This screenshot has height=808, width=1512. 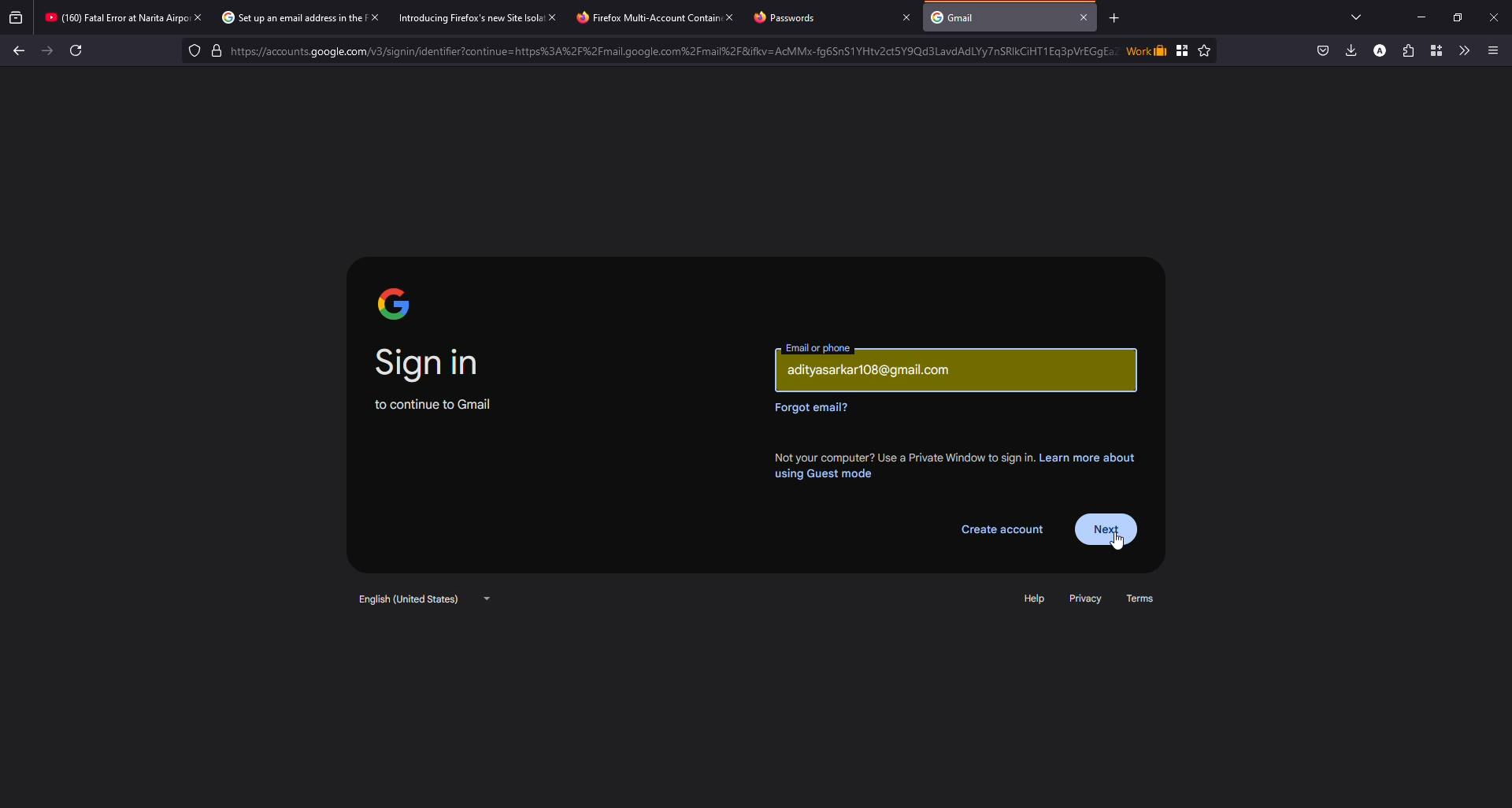 What do you see at coordinates (1349, 50) in the screenshot?
I see `downloads` at bounding box center [1349, 50].